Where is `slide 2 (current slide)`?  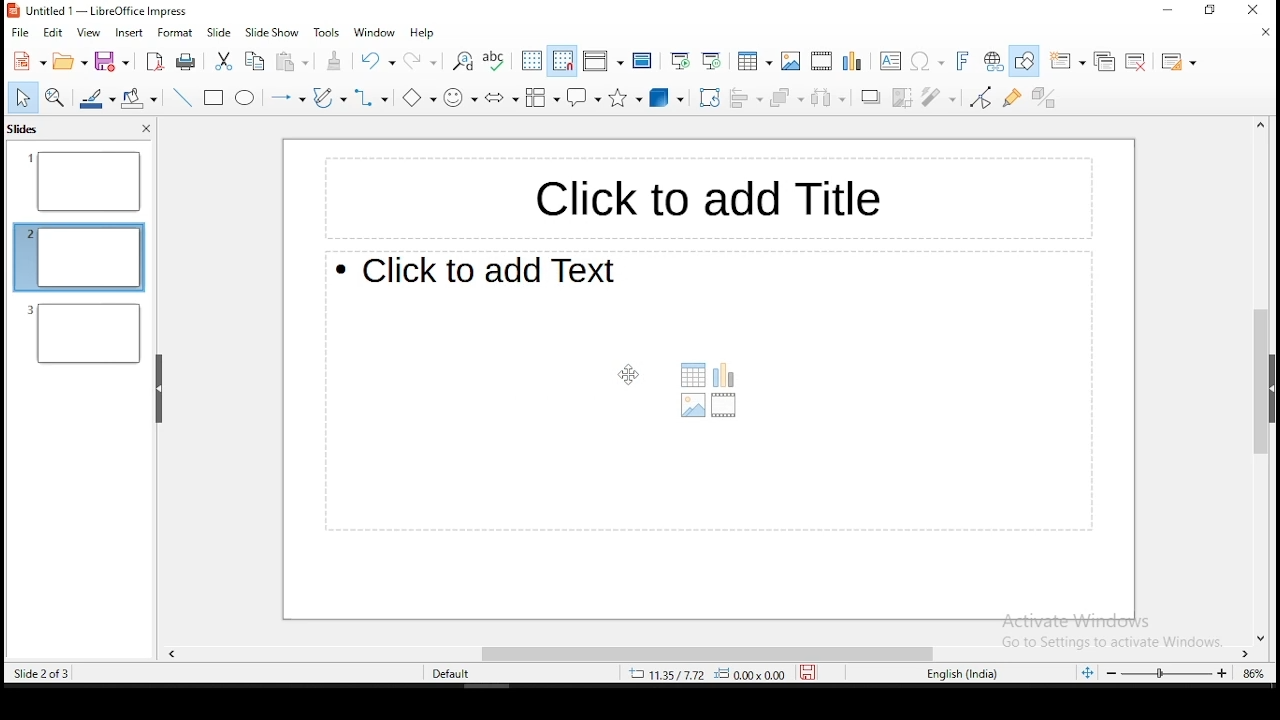
slide 2 (current slide) is located at coordinates (79, 255).